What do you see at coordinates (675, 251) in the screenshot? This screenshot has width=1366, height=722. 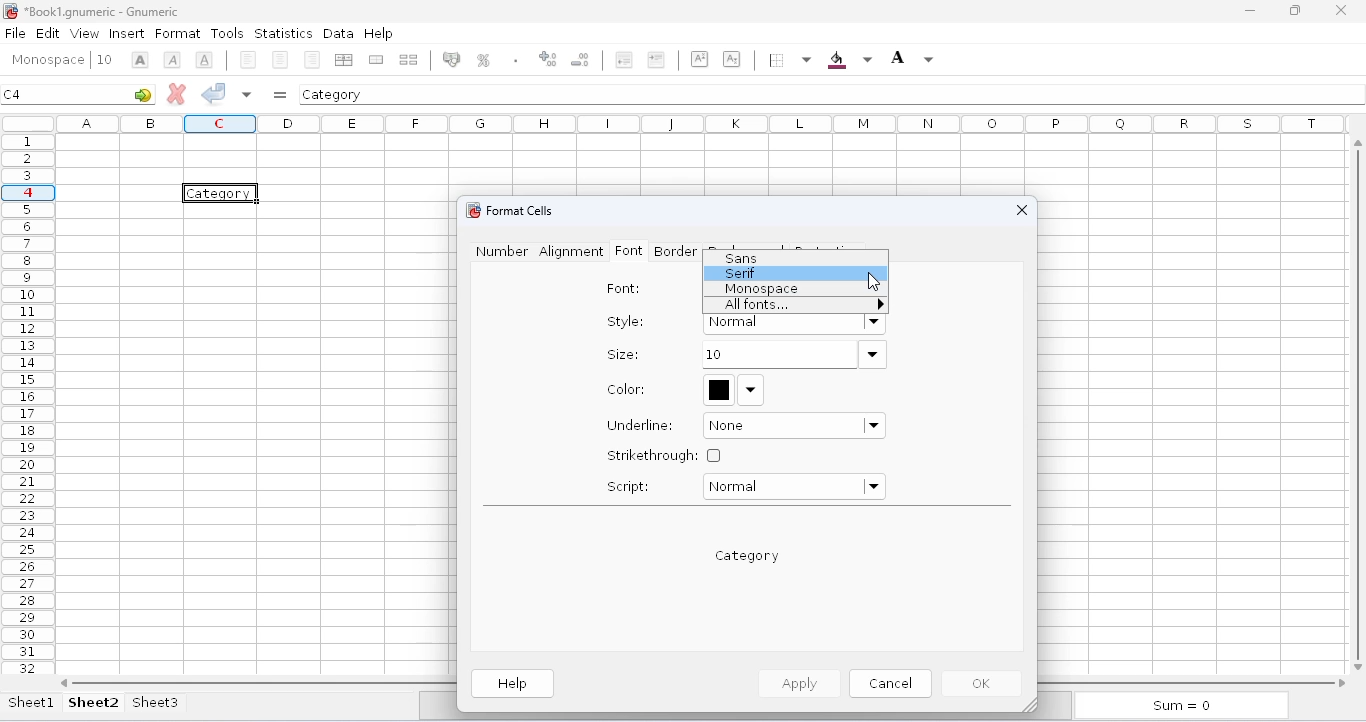 I see `border` at bounding box center [675, 251].